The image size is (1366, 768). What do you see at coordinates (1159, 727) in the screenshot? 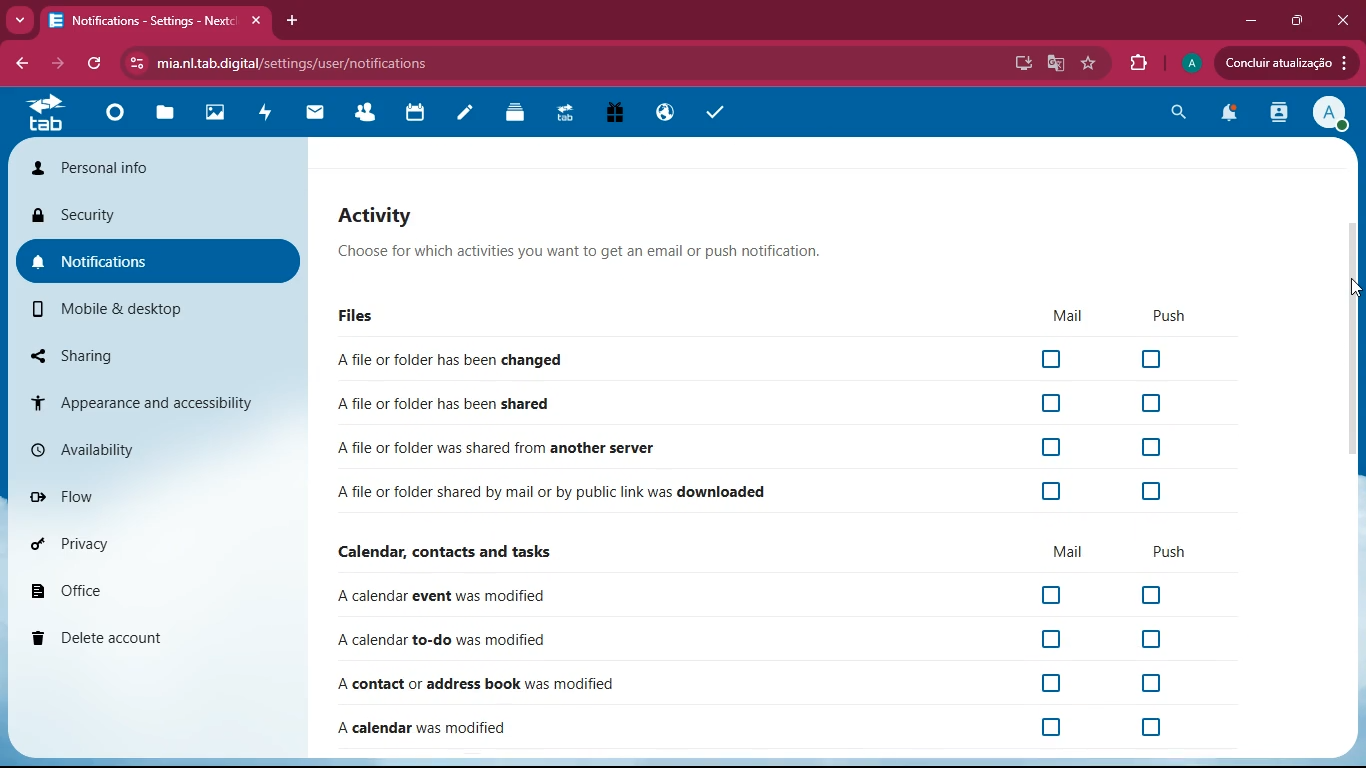
I see `off` at bounding box center [1159, 727].